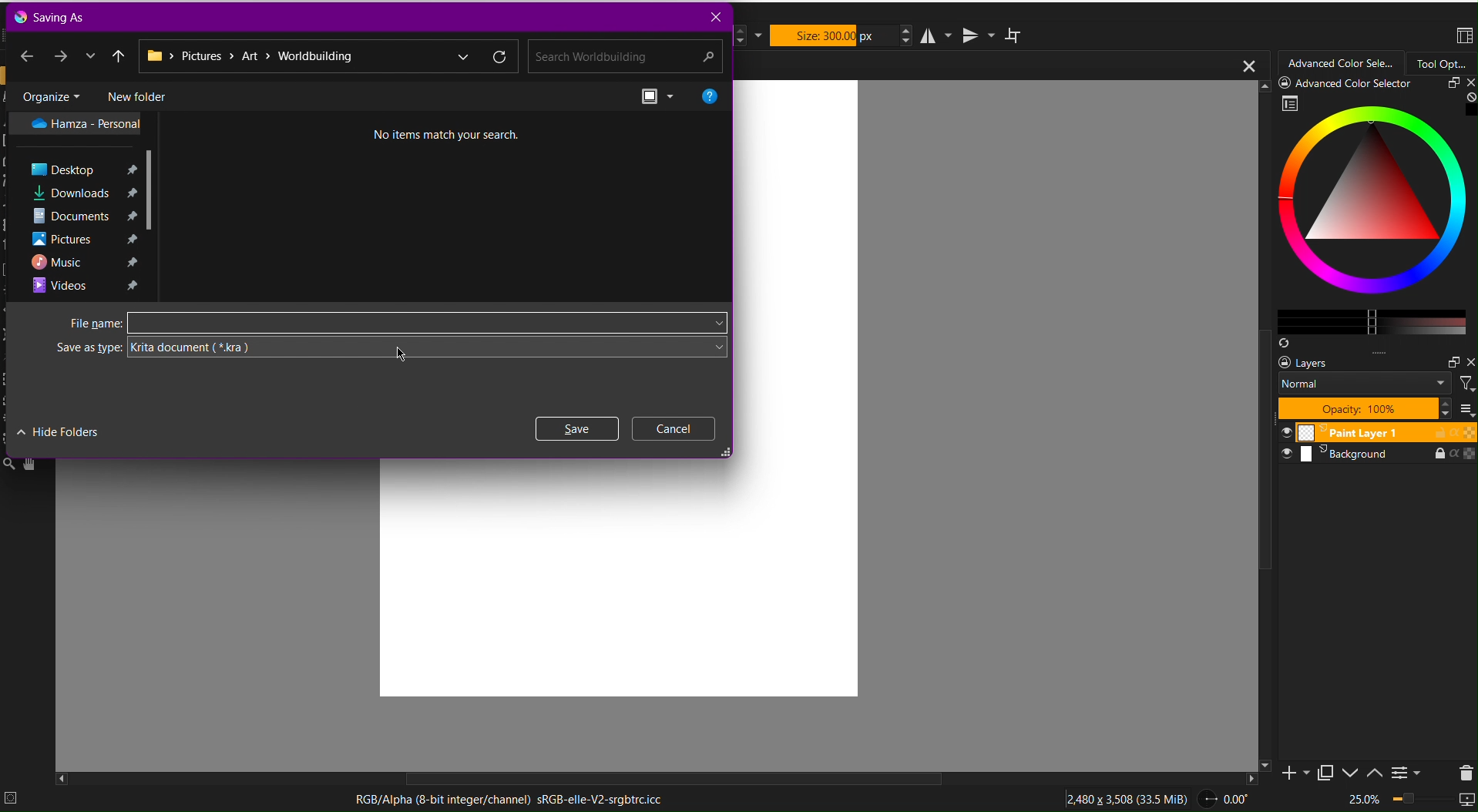 The height and width of the screenshot is (812, 1478). What do you see at coordinates (1229, 797) in the screenshot?
I see `Degree` at bounding box center [1229, 797].